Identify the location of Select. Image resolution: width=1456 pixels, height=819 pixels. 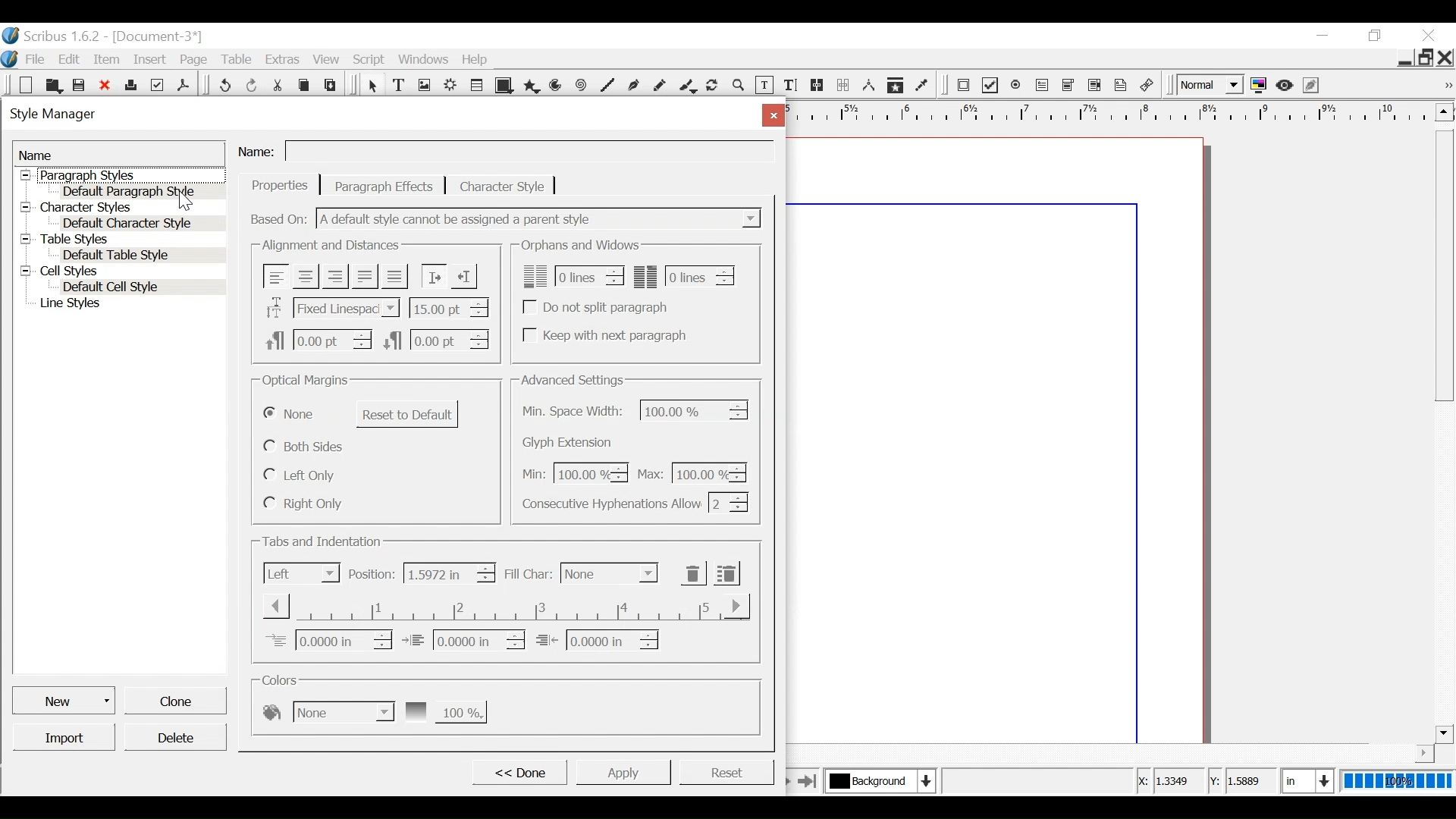
(372, 86).